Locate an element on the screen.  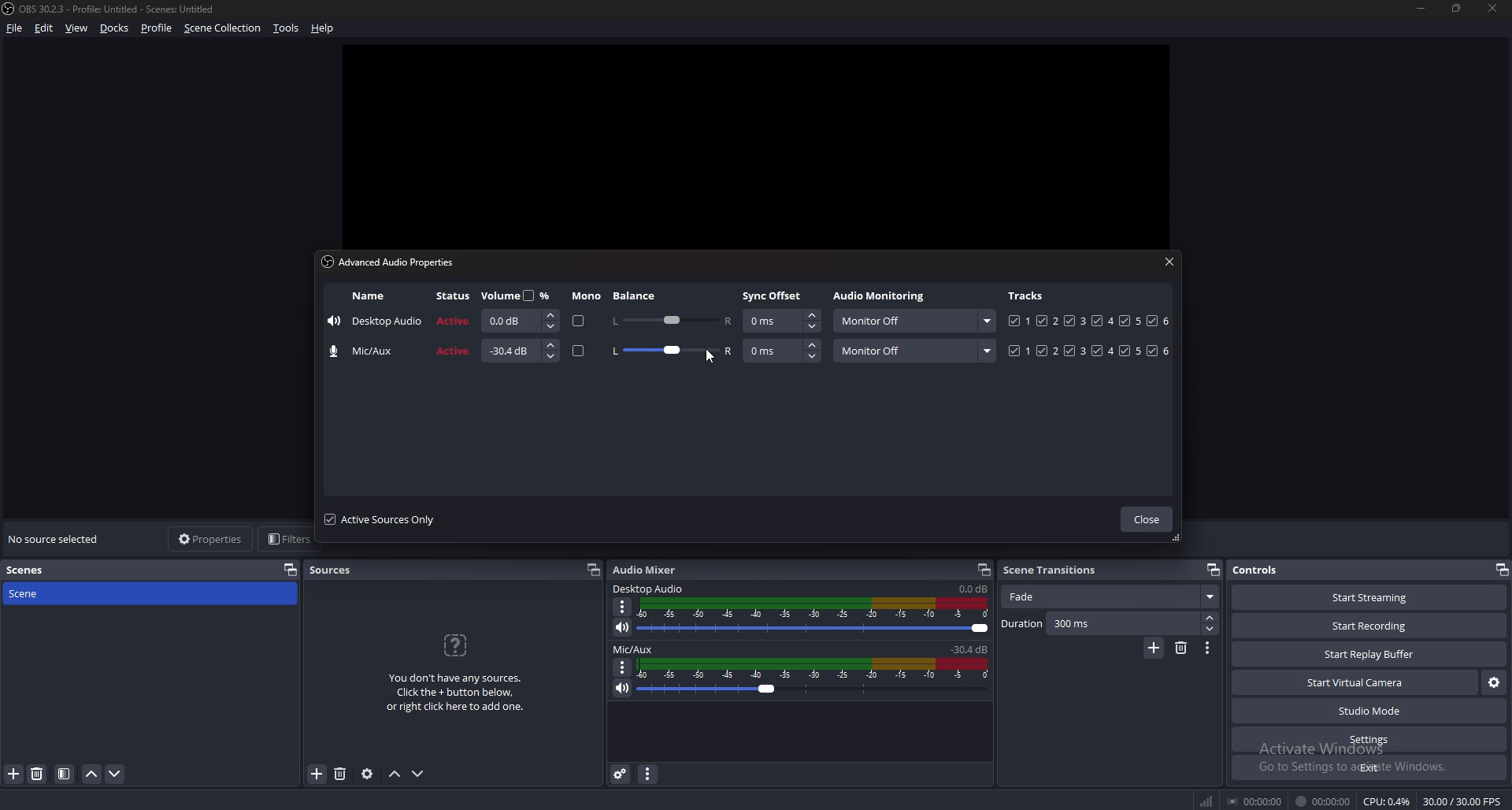
active sources only is located at coordinates (381, 520).